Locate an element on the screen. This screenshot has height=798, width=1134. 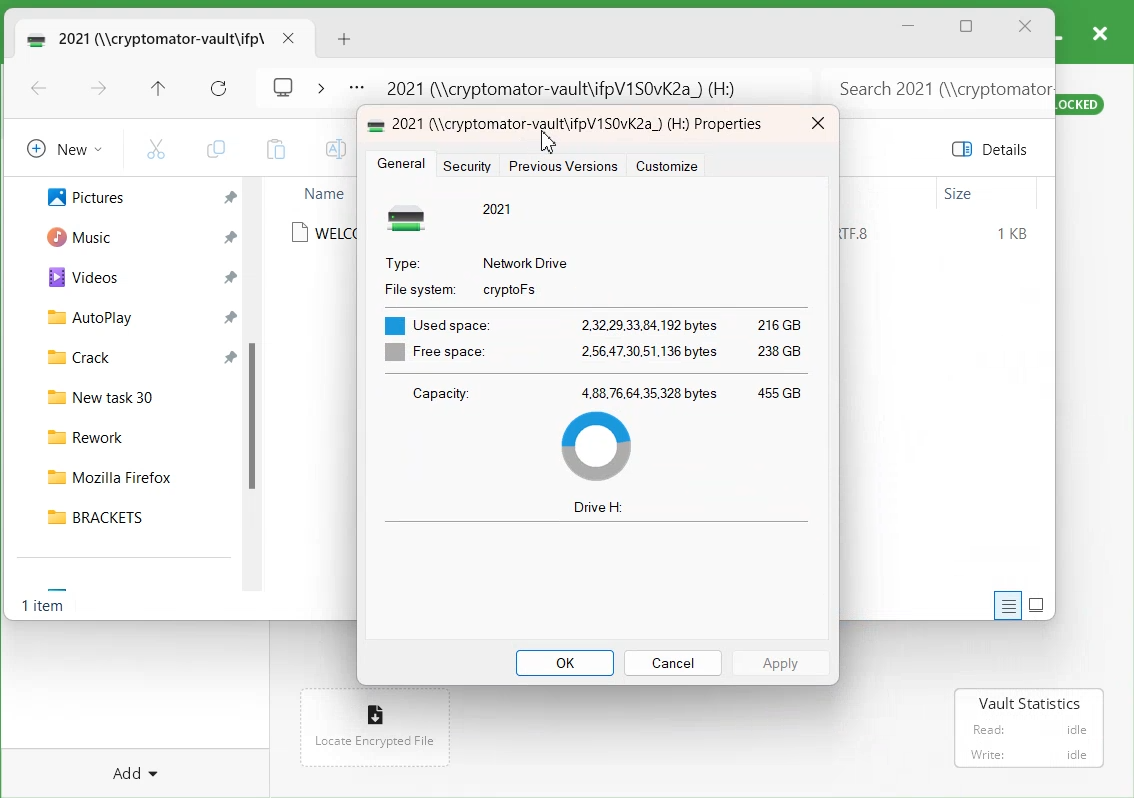
Go Back is located at coordinates (39, 90).